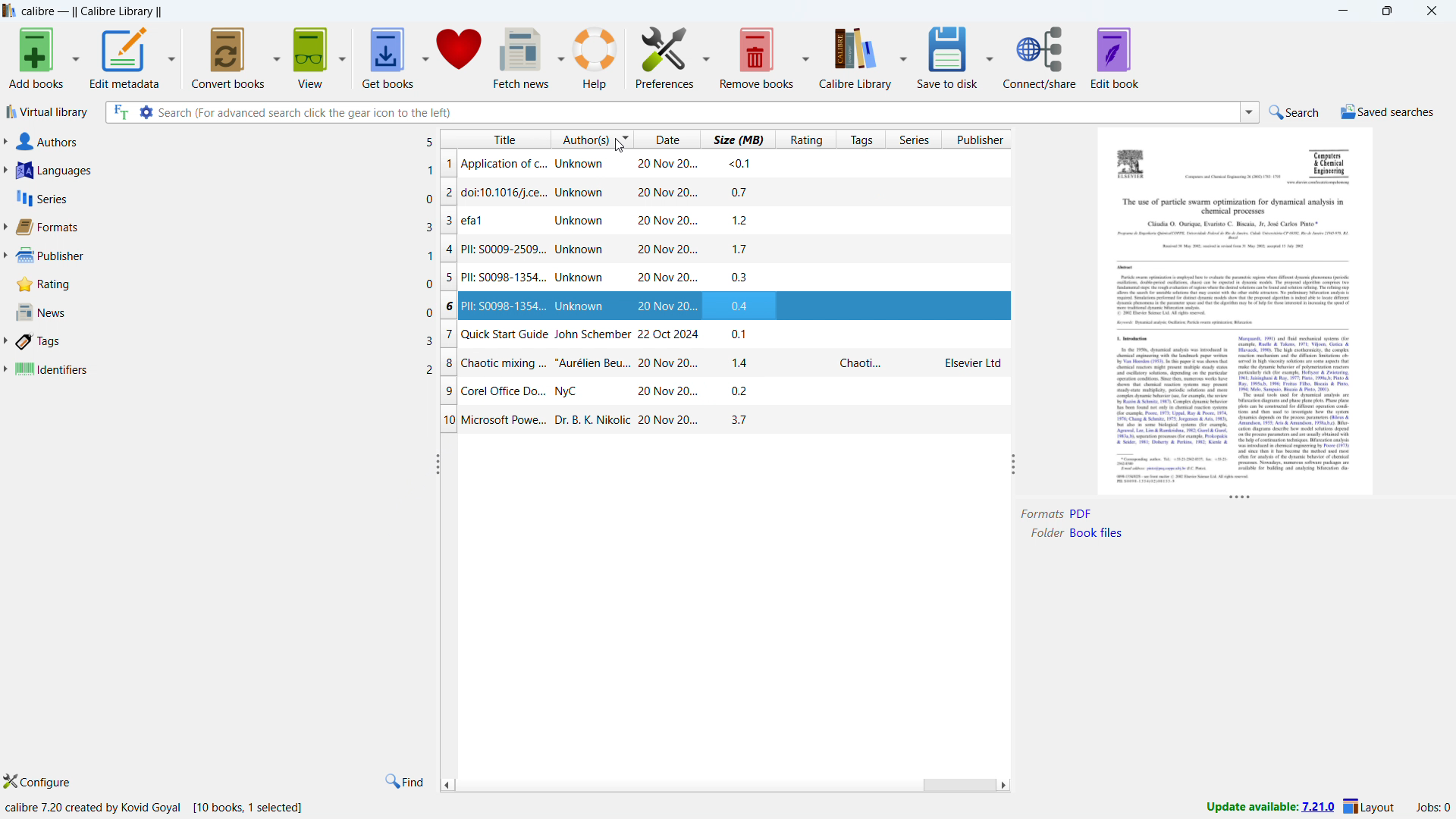 This screenshot has height=819, width=1456. What do you see at coordinates (1082, 513) in the screenshot?
I see `PDF` at bounding box center [1082, 513].